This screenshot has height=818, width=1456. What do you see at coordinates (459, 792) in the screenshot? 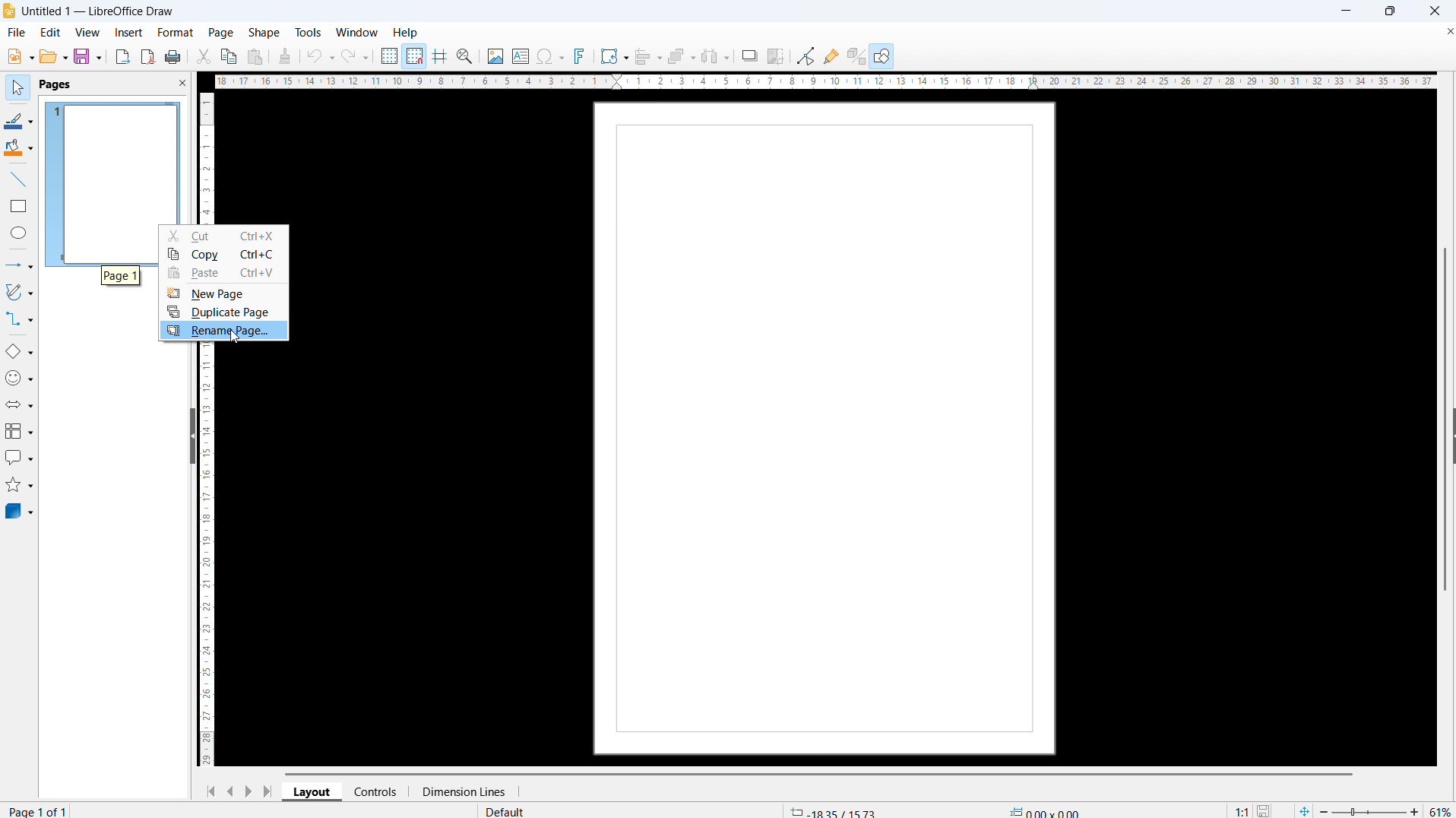
I see `dimension lines` at bounding box center [459, 792].